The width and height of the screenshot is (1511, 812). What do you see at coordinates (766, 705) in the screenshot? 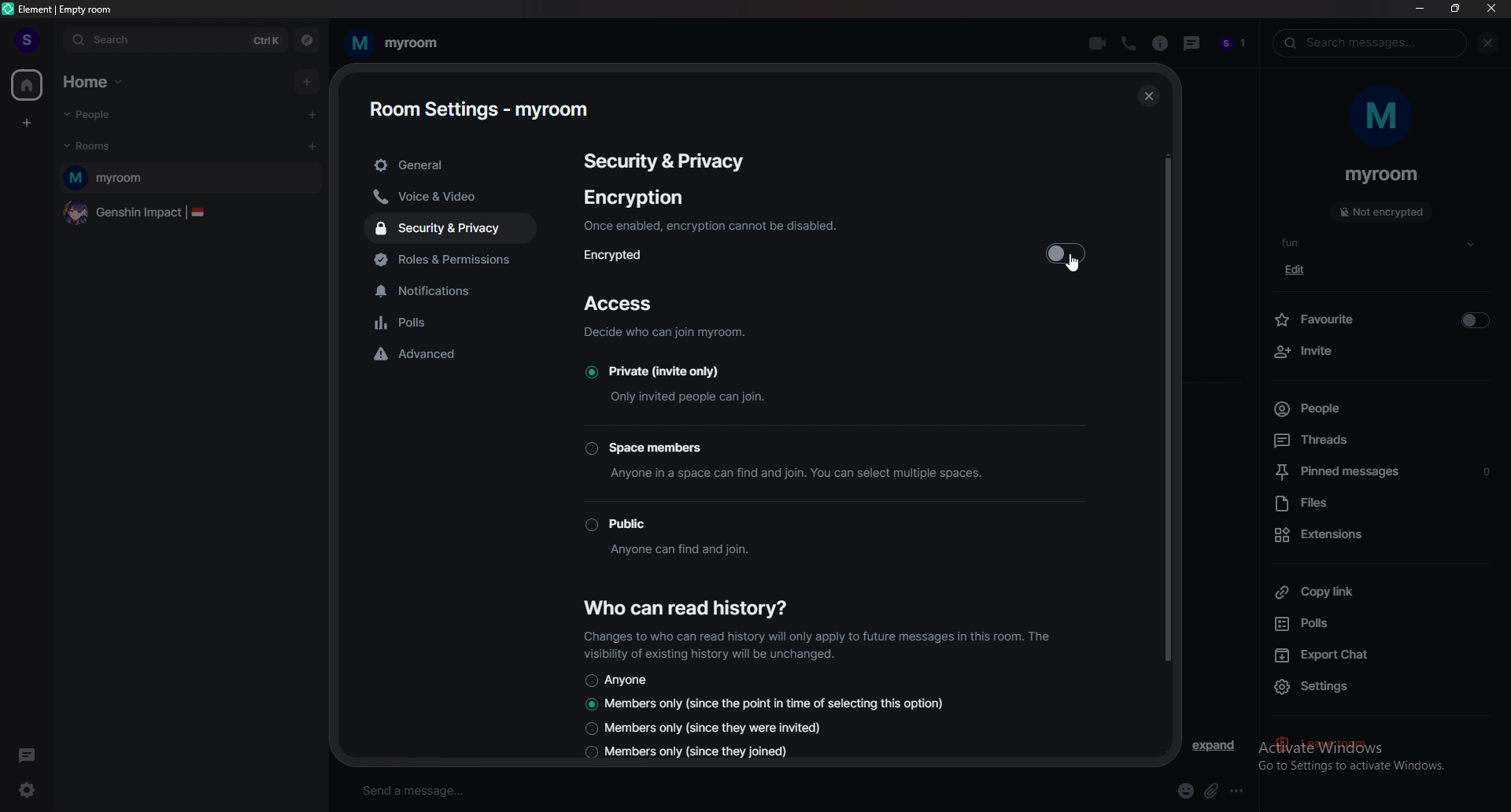
I see ` Members only (since the point in time of selecting this option)` at bounding box center [766, 705].